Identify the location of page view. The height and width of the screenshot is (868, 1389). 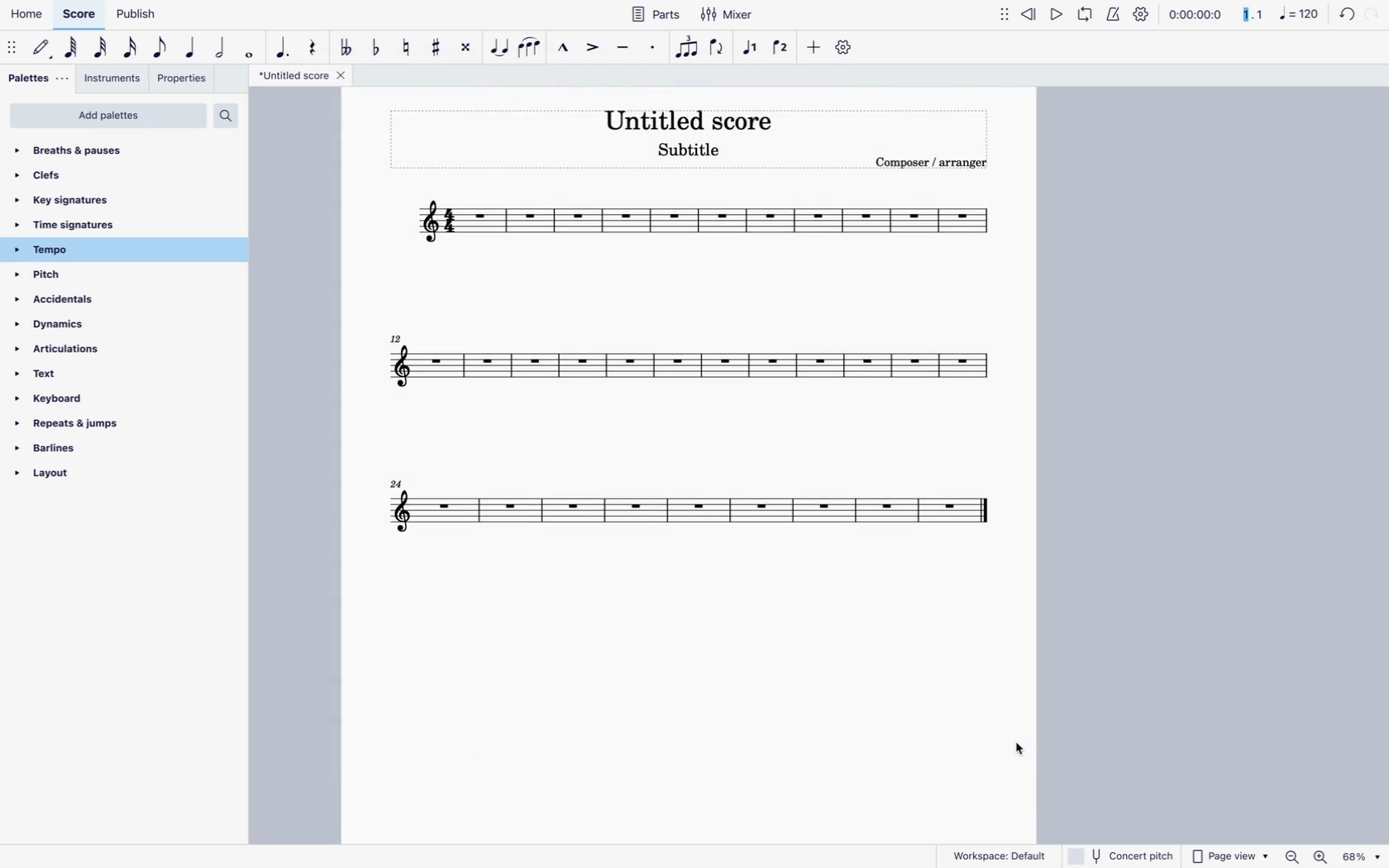
(1229, 856).